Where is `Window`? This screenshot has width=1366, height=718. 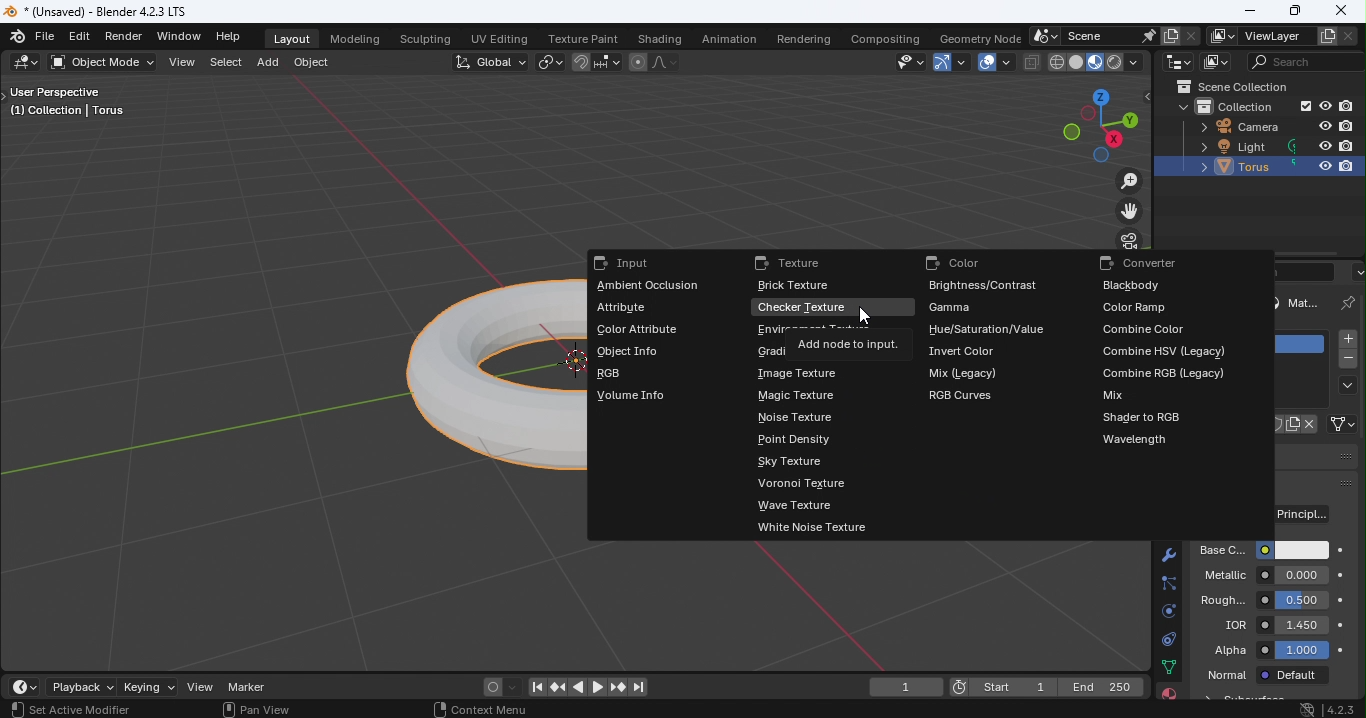
Window is located at coordinates (181, 38).